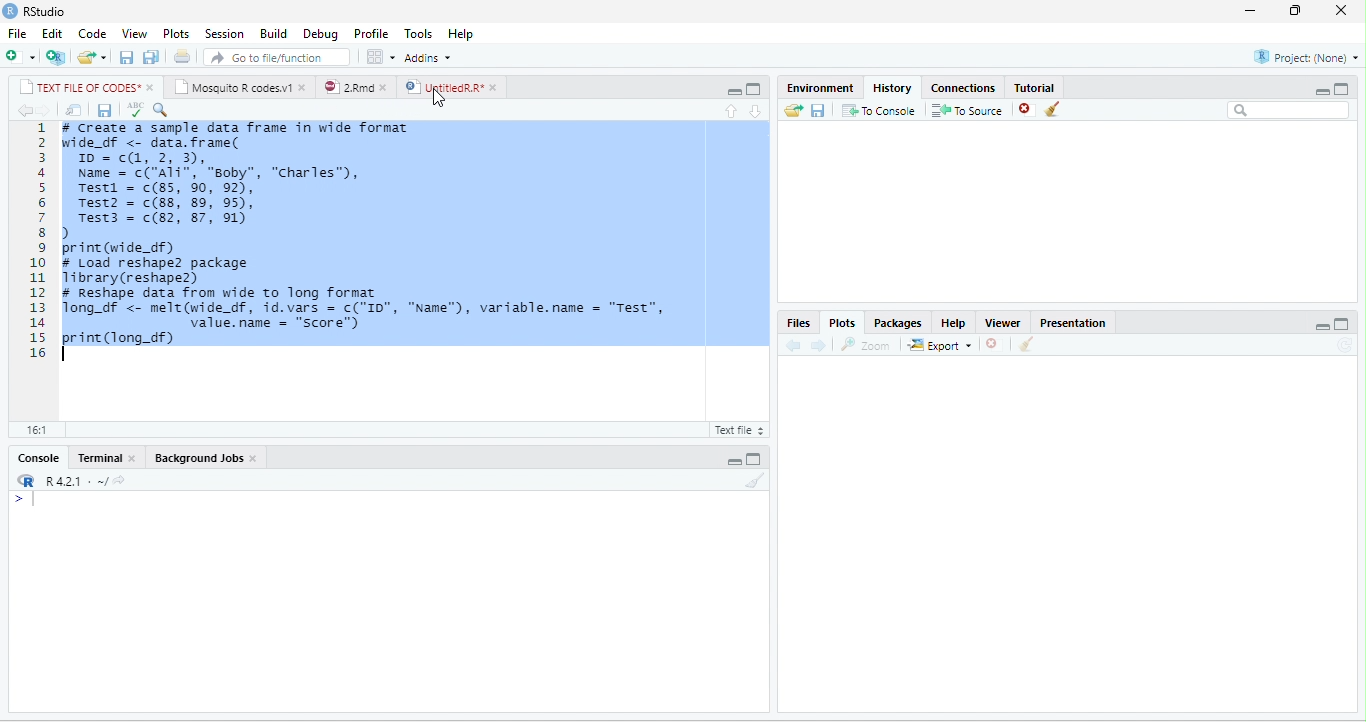 Image resolution: width=1366 pixels, height=722 pixels. I want to click on R 4.2.1.~/, so click(70, 480).